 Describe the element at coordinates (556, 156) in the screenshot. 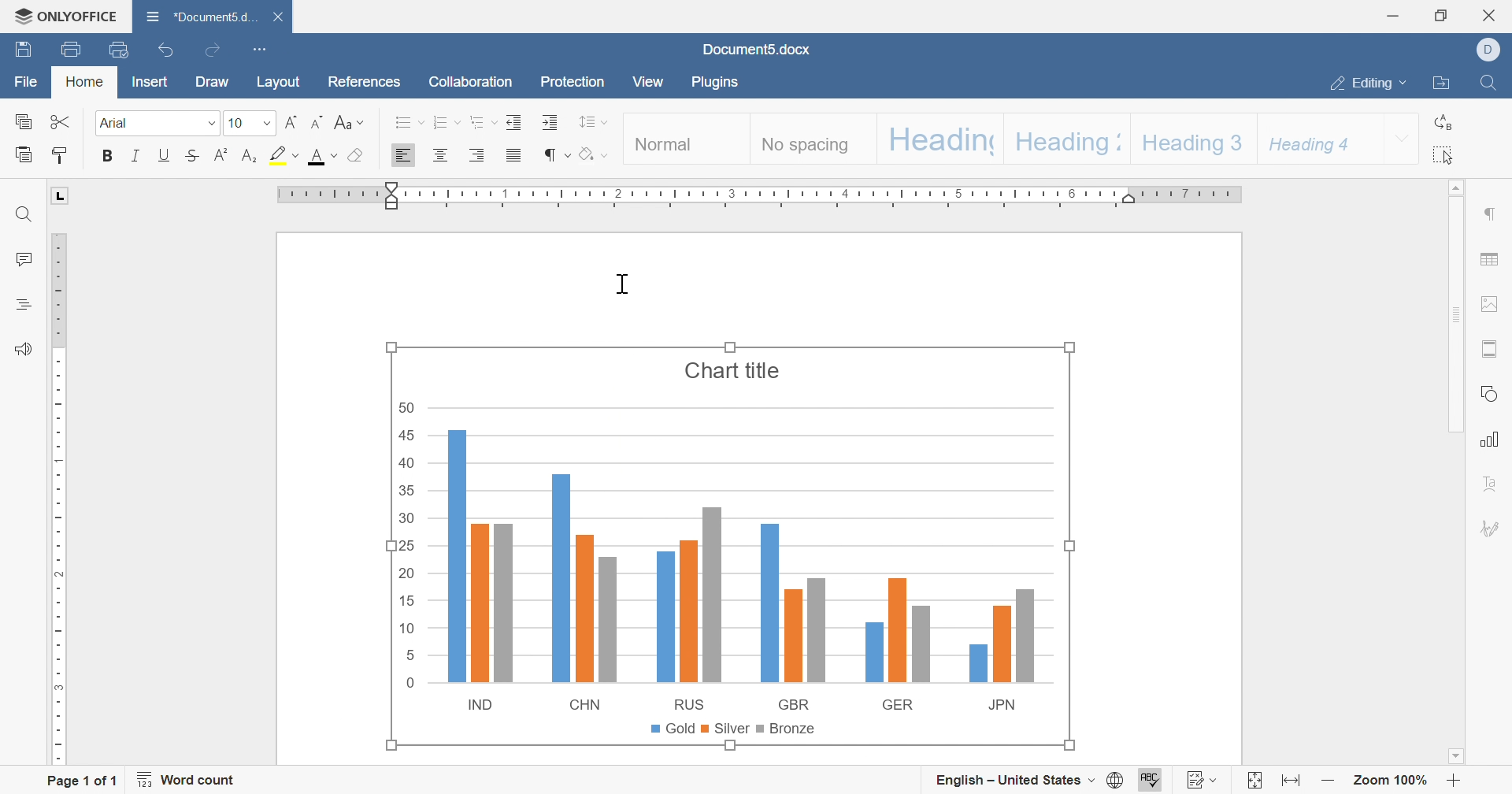

I see `nonprinting characters` at that location.